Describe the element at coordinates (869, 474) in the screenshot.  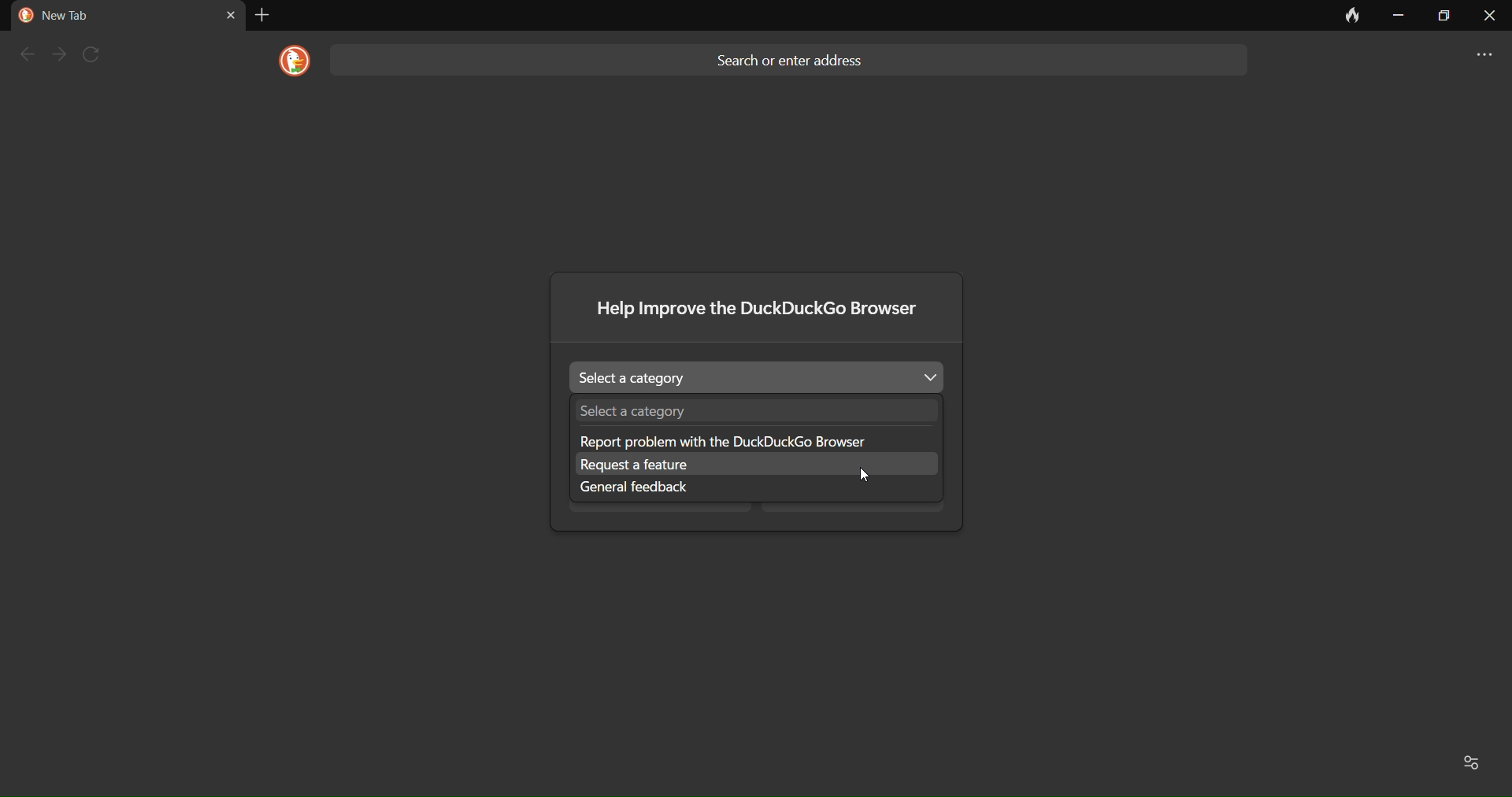
I see `cursor` at that location.